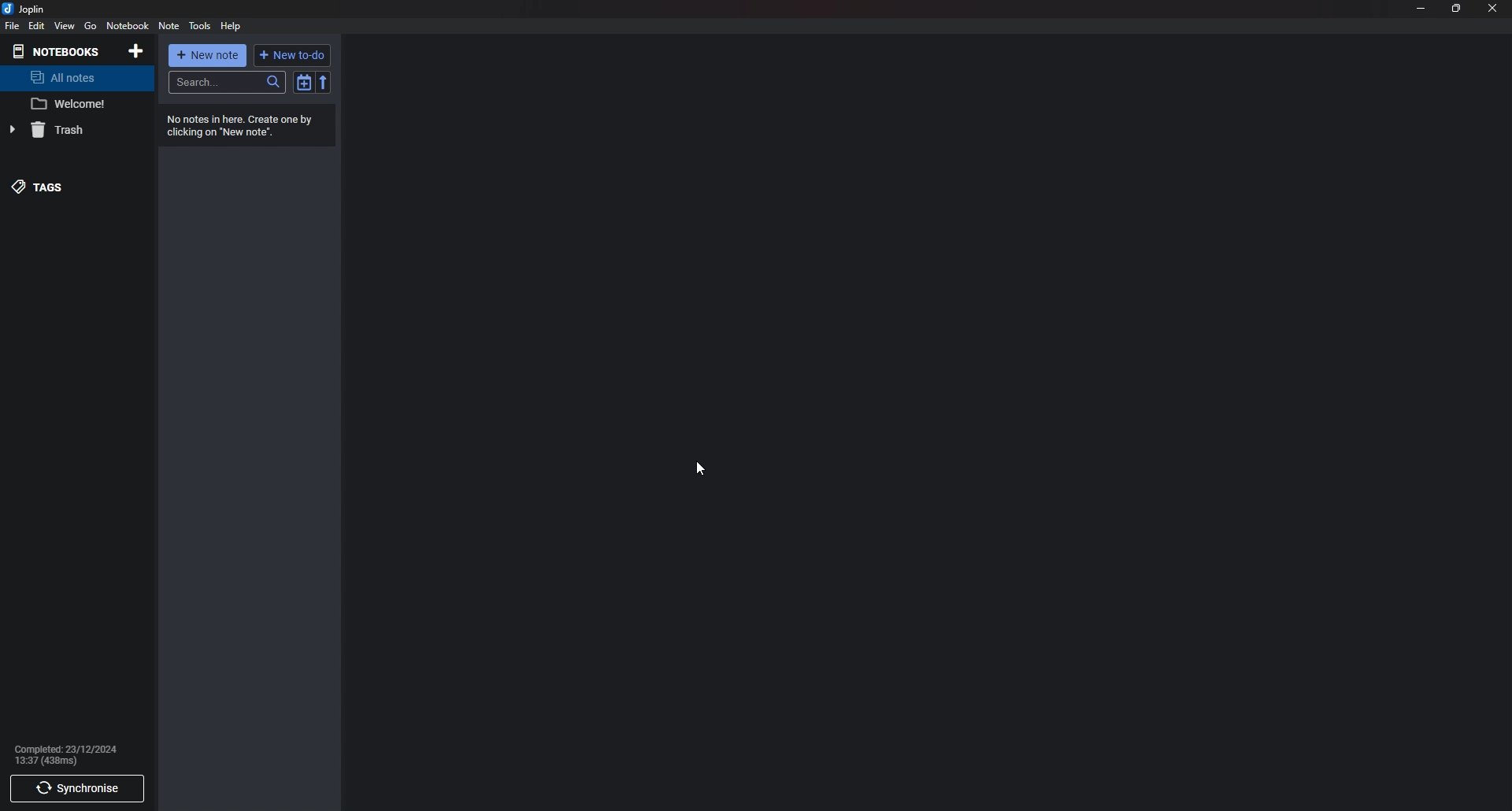 The width and height of the screenshot is (1512, 811). What do you see at coordinates (61, 50) in the screenshot?
I see `Notebooks` at bounding box center [61, 50].